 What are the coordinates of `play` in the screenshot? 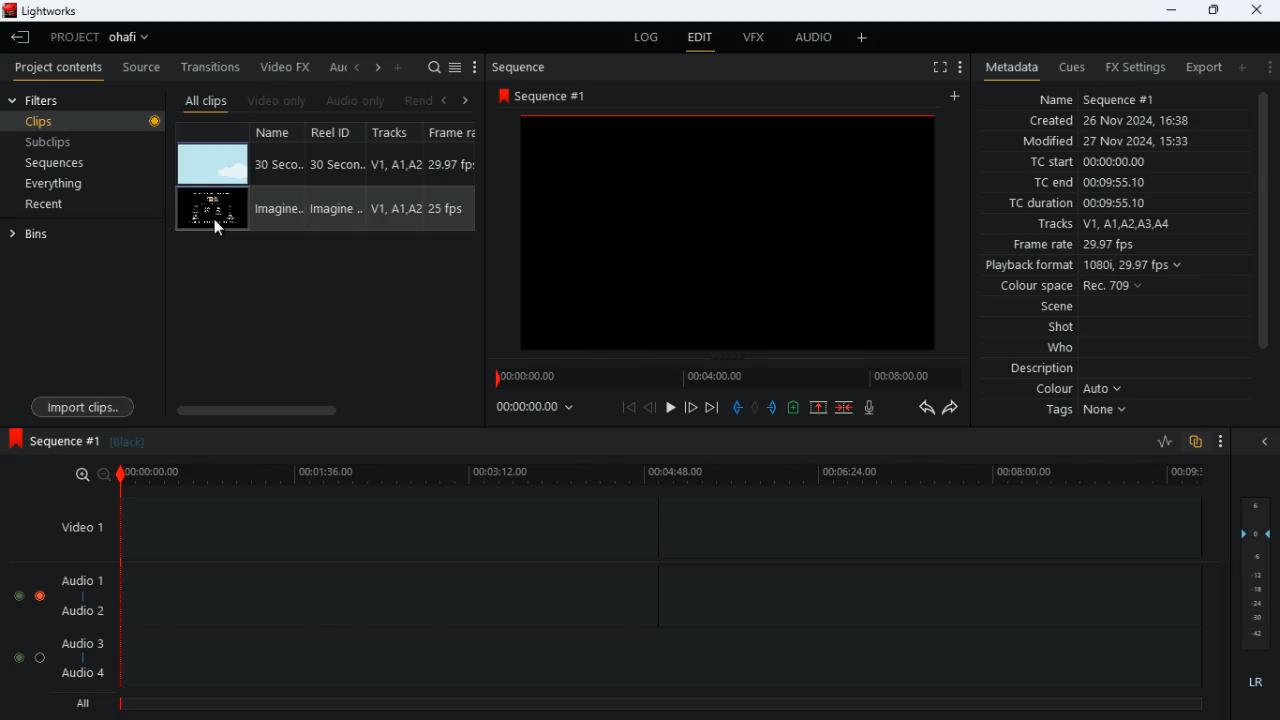 It's located at (672, 406).